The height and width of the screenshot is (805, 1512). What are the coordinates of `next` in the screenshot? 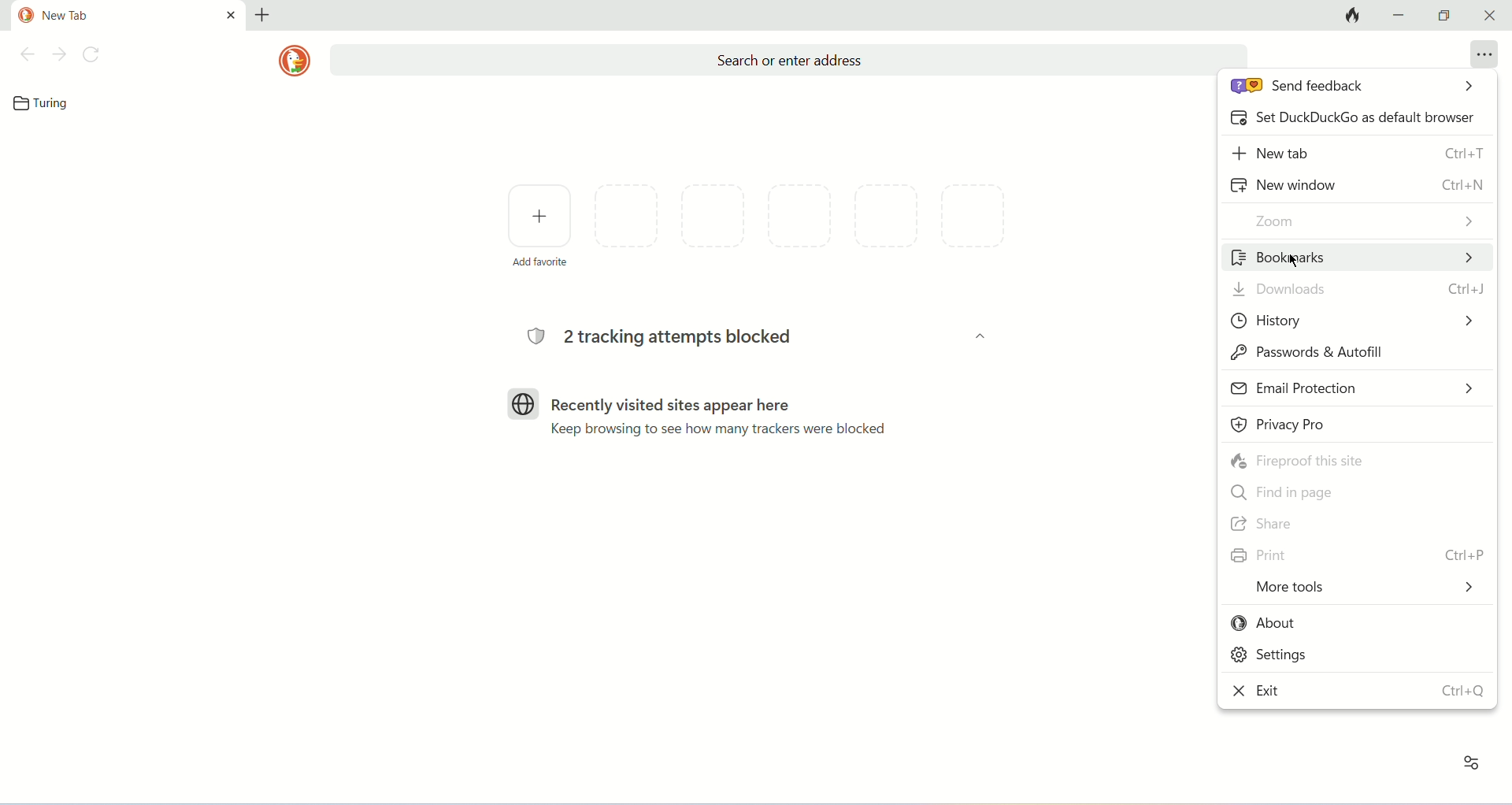 It's located at (60, 54).